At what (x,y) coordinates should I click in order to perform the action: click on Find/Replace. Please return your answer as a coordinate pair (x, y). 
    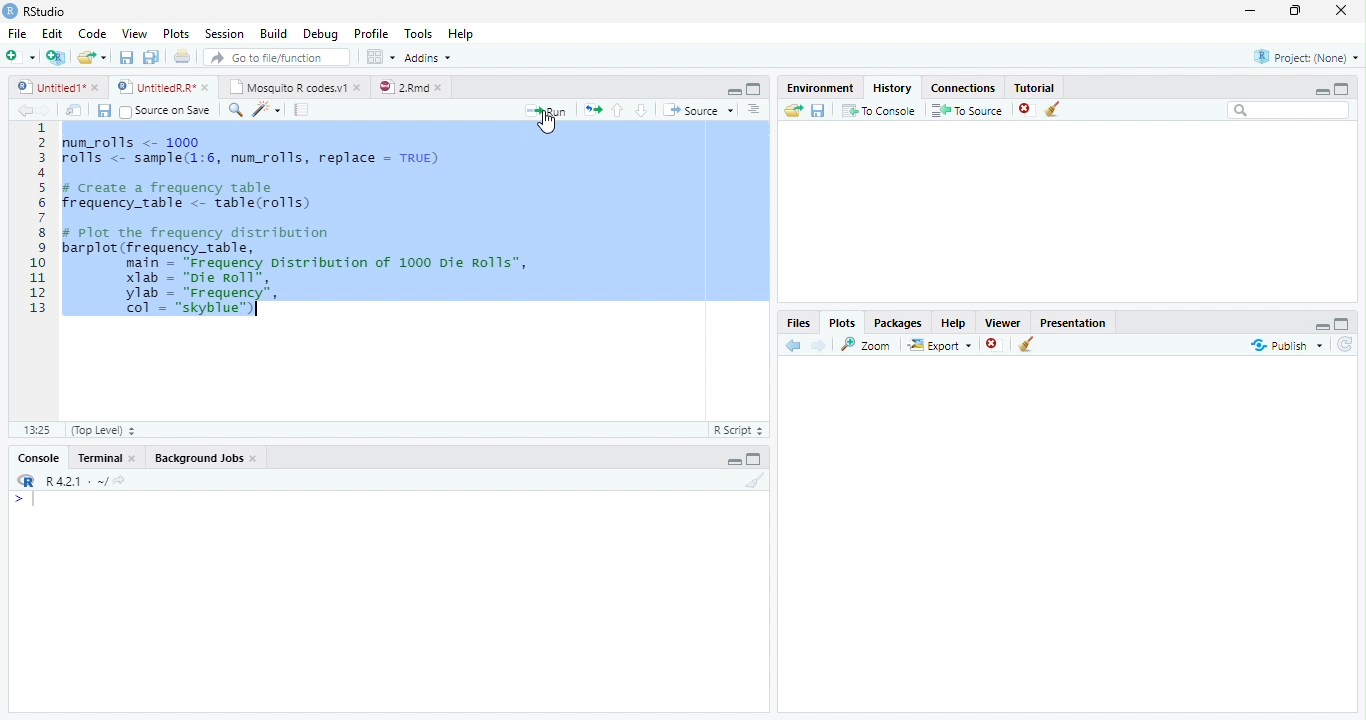
    Looking at the image, I should click on (233, 110).